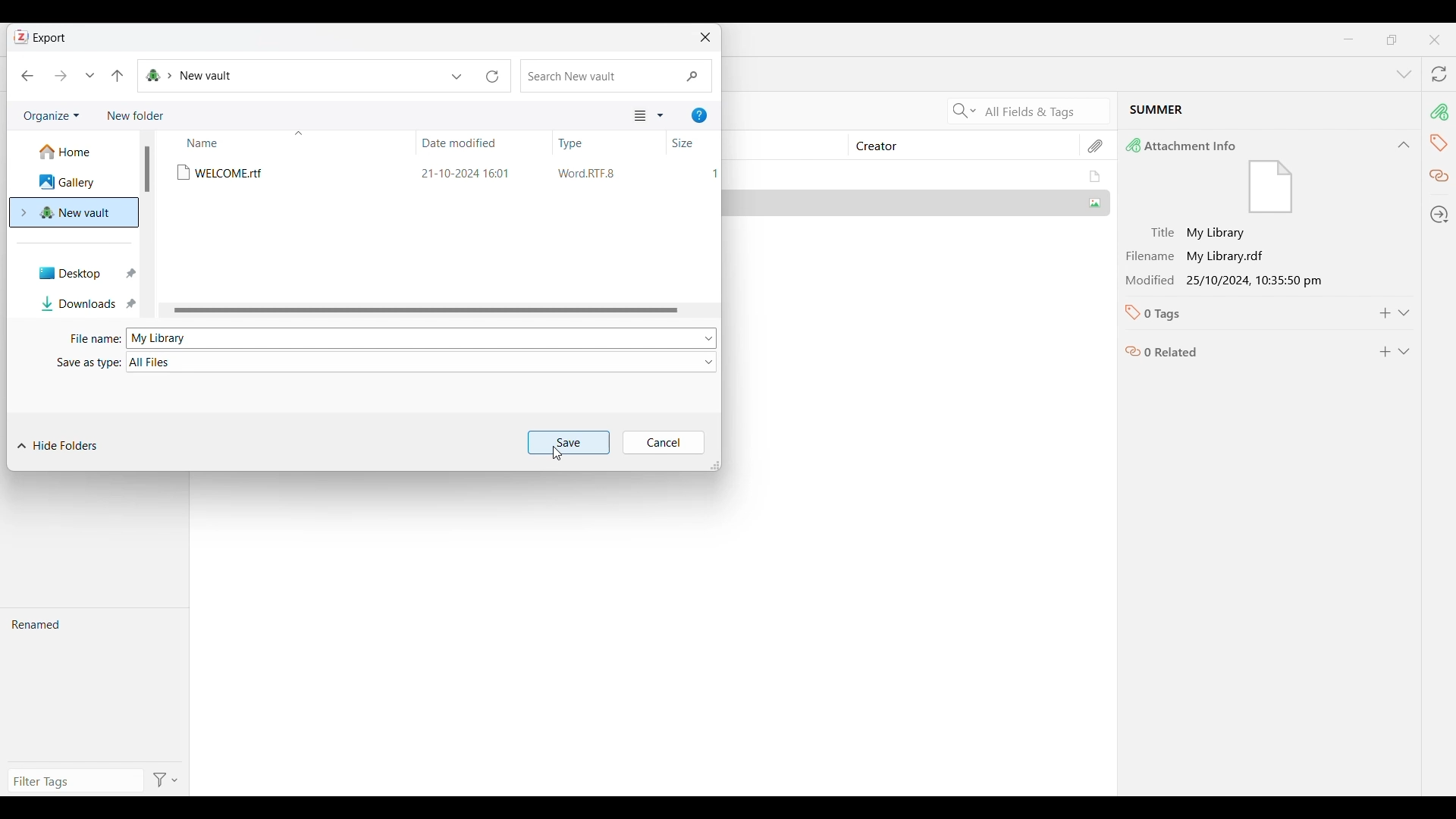 The image size is (1456, 819). What do you see at coordinates (1385, 313) in the screenshot?
I see `Add` at bounding box center [1385, 313].